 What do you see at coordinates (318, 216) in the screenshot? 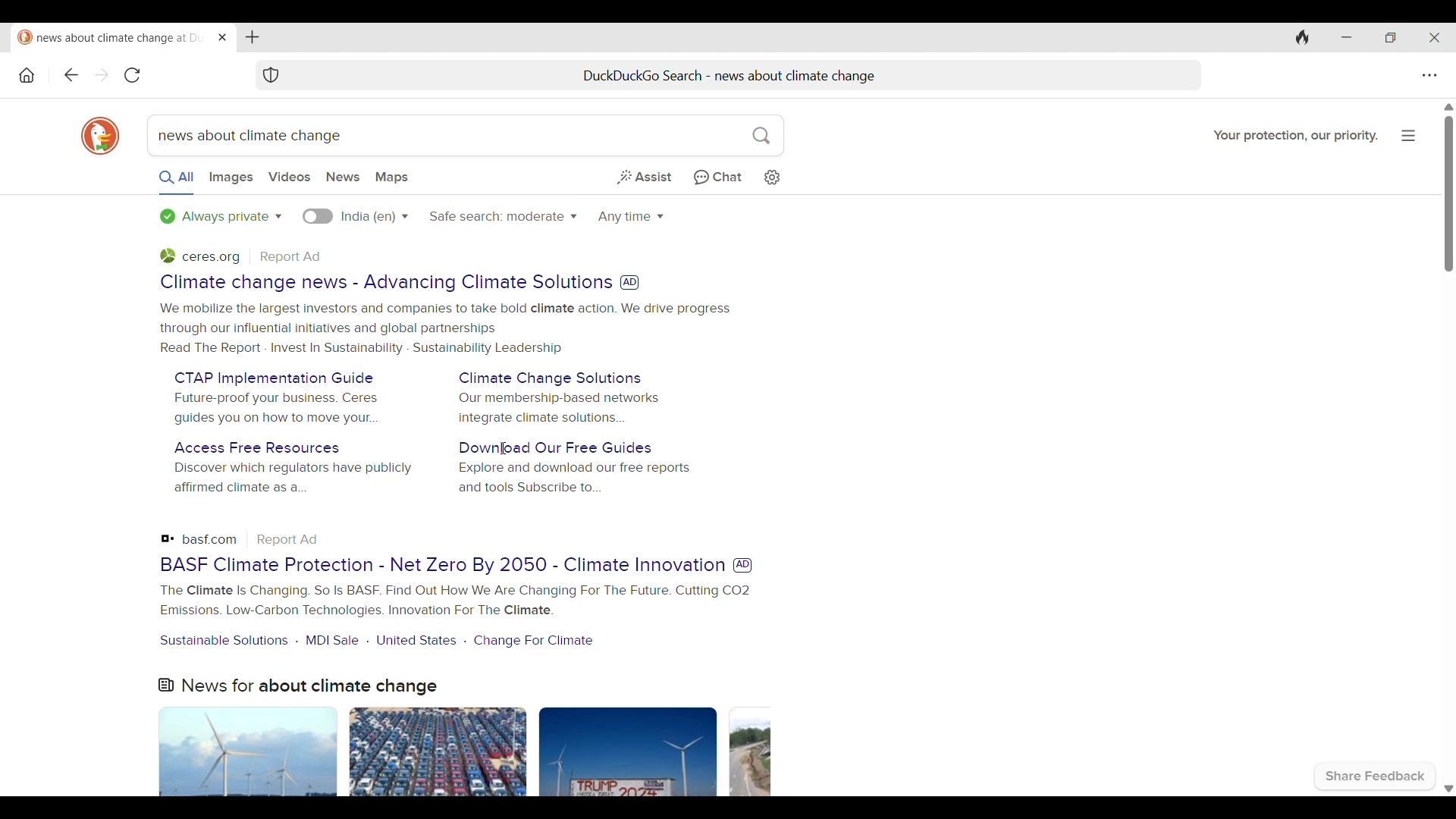
I see `Language specific search` at bounding box center [318, 216].